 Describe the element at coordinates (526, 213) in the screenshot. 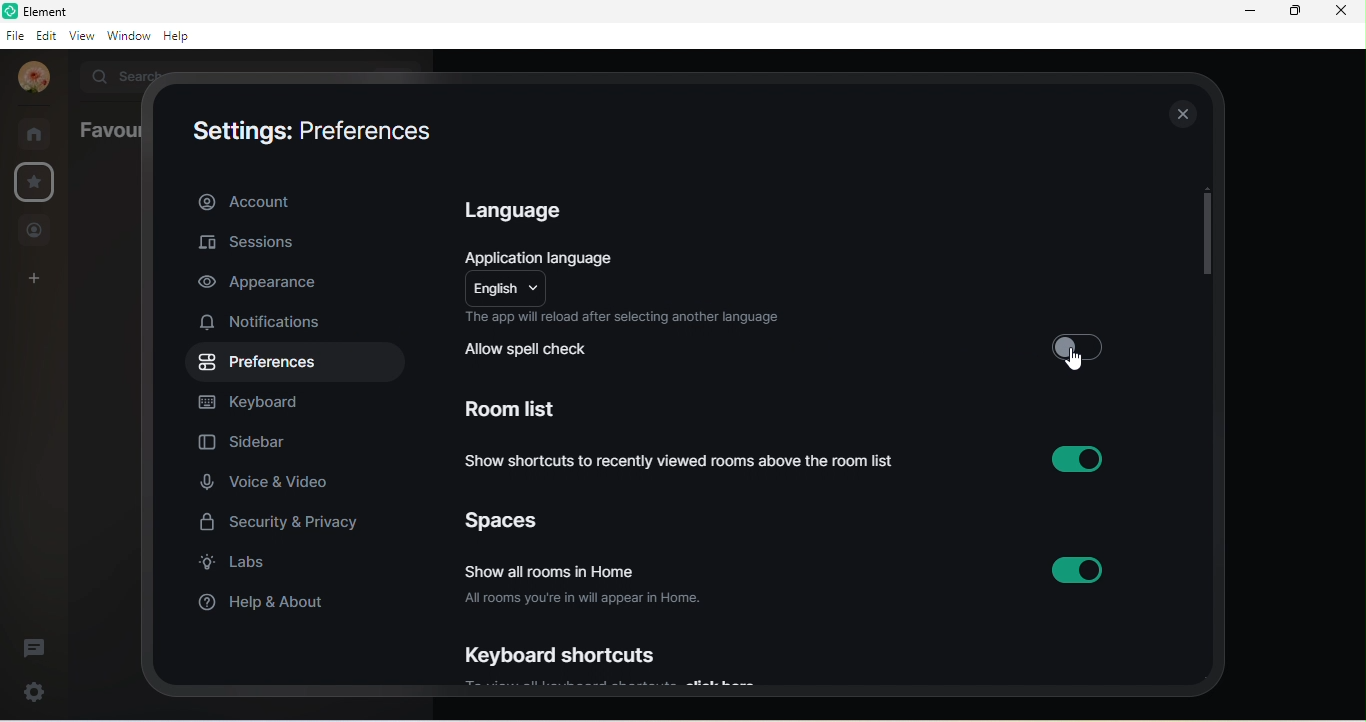

I see `language` at that location.